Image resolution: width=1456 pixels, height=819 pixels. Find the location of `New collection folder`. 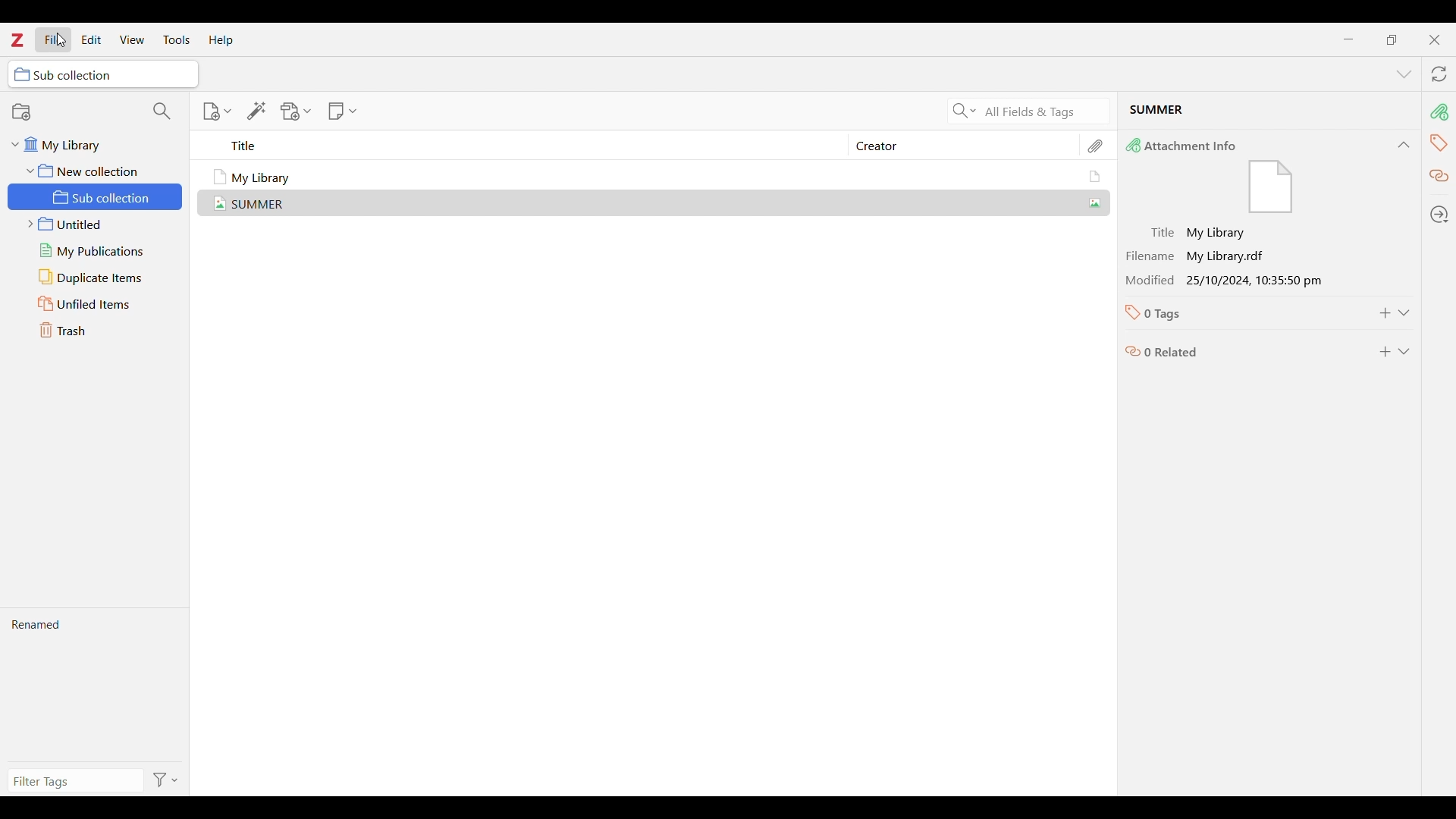

New collection folder is located at coordinates (90, 170).